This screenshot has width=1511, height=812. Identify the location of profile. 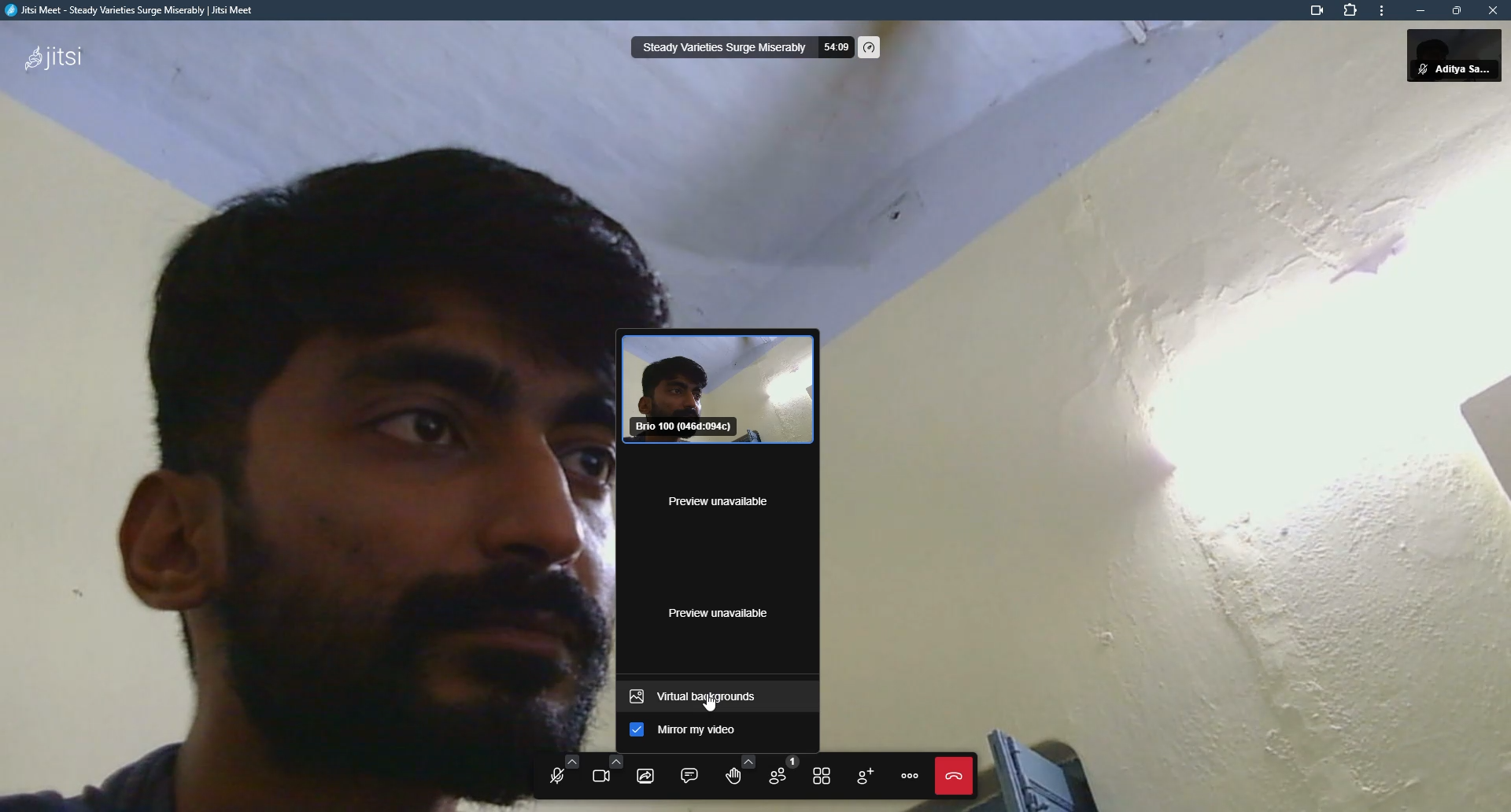
(1469, 55).